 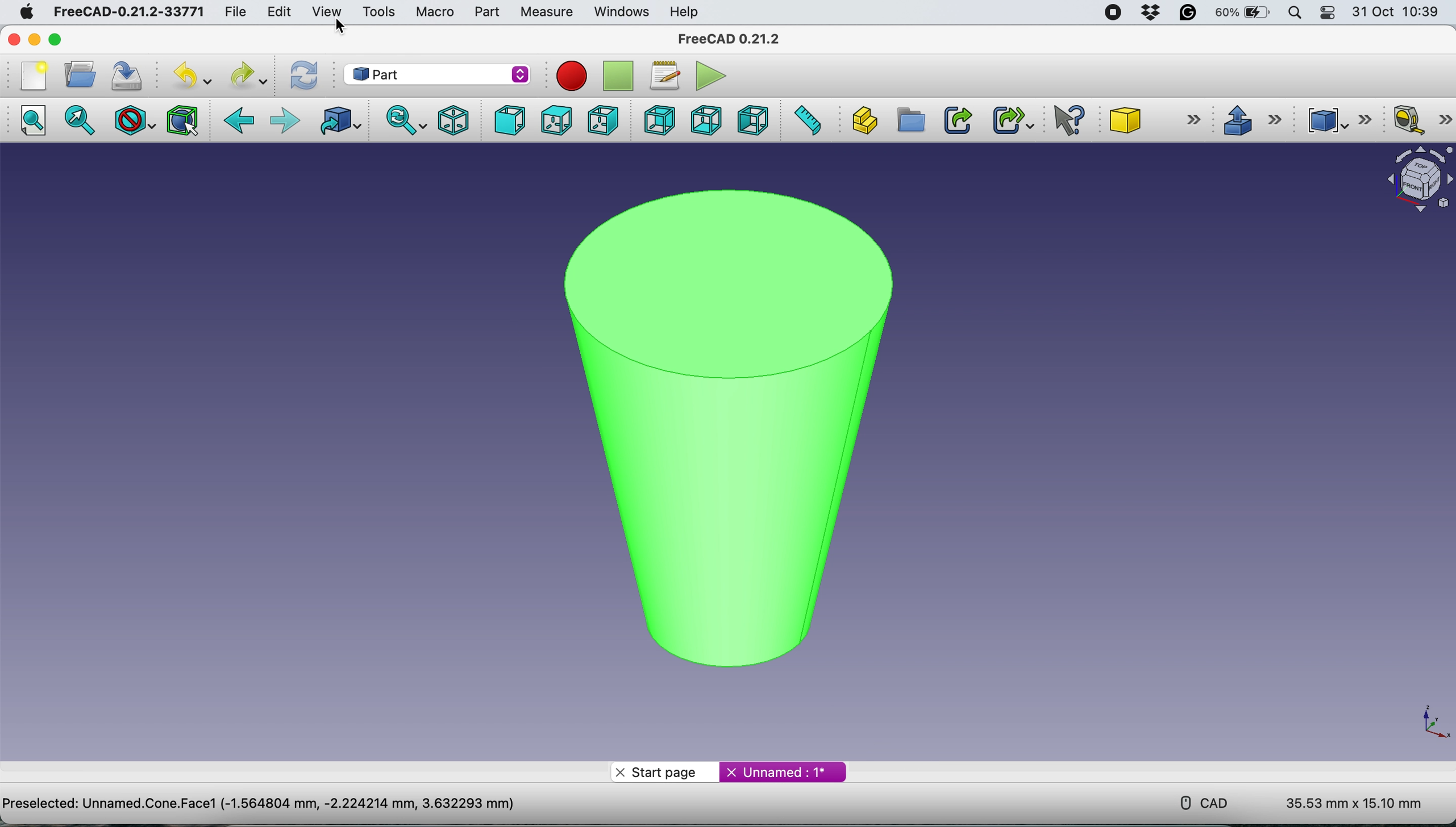 What do you see at coordinates (910, 121) in the screenshot?
I see `create group` at bounding box center [910, 121].